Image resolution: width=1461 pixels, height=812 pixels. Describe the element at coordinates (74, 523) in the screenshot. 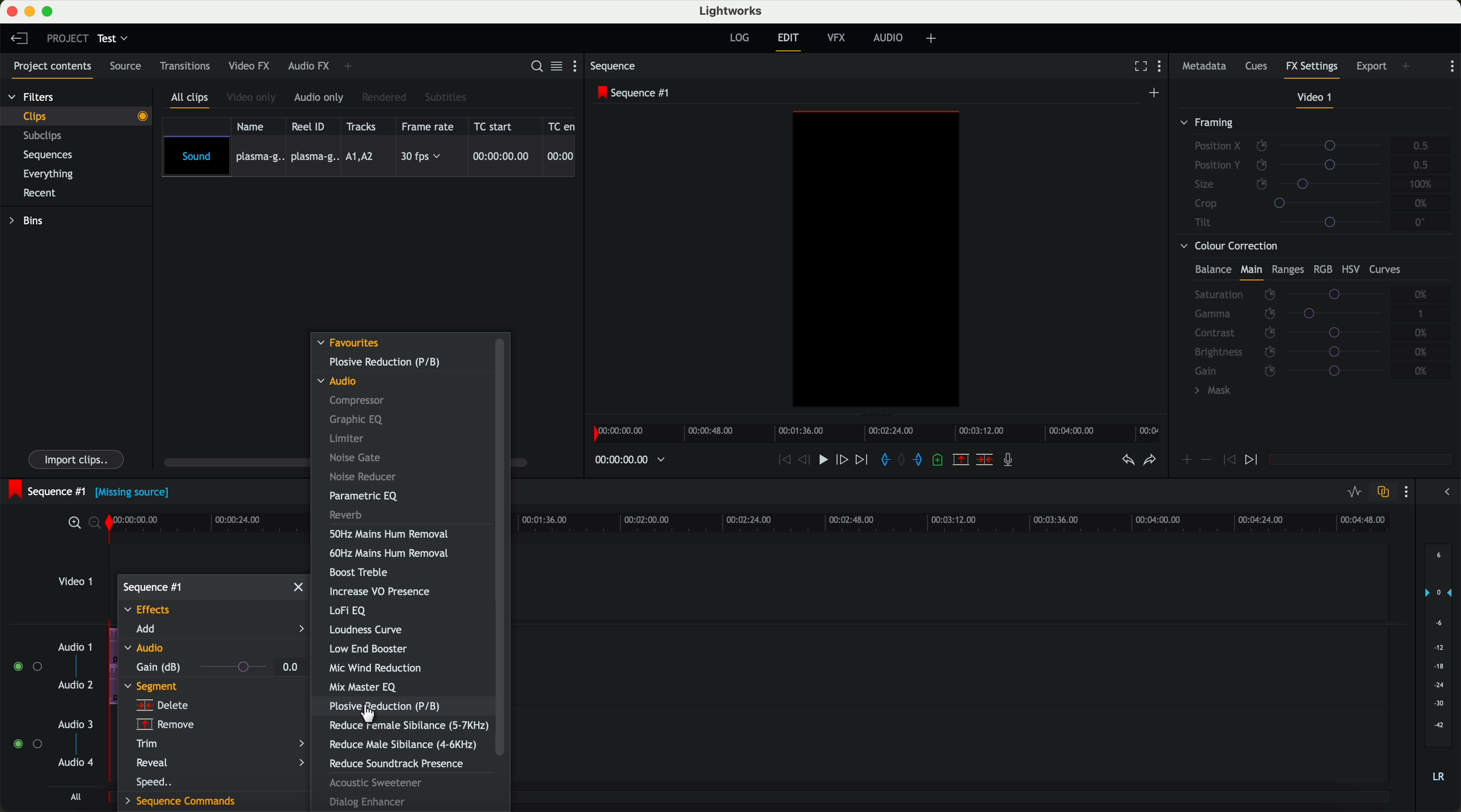

I see `zoom in` at that location.